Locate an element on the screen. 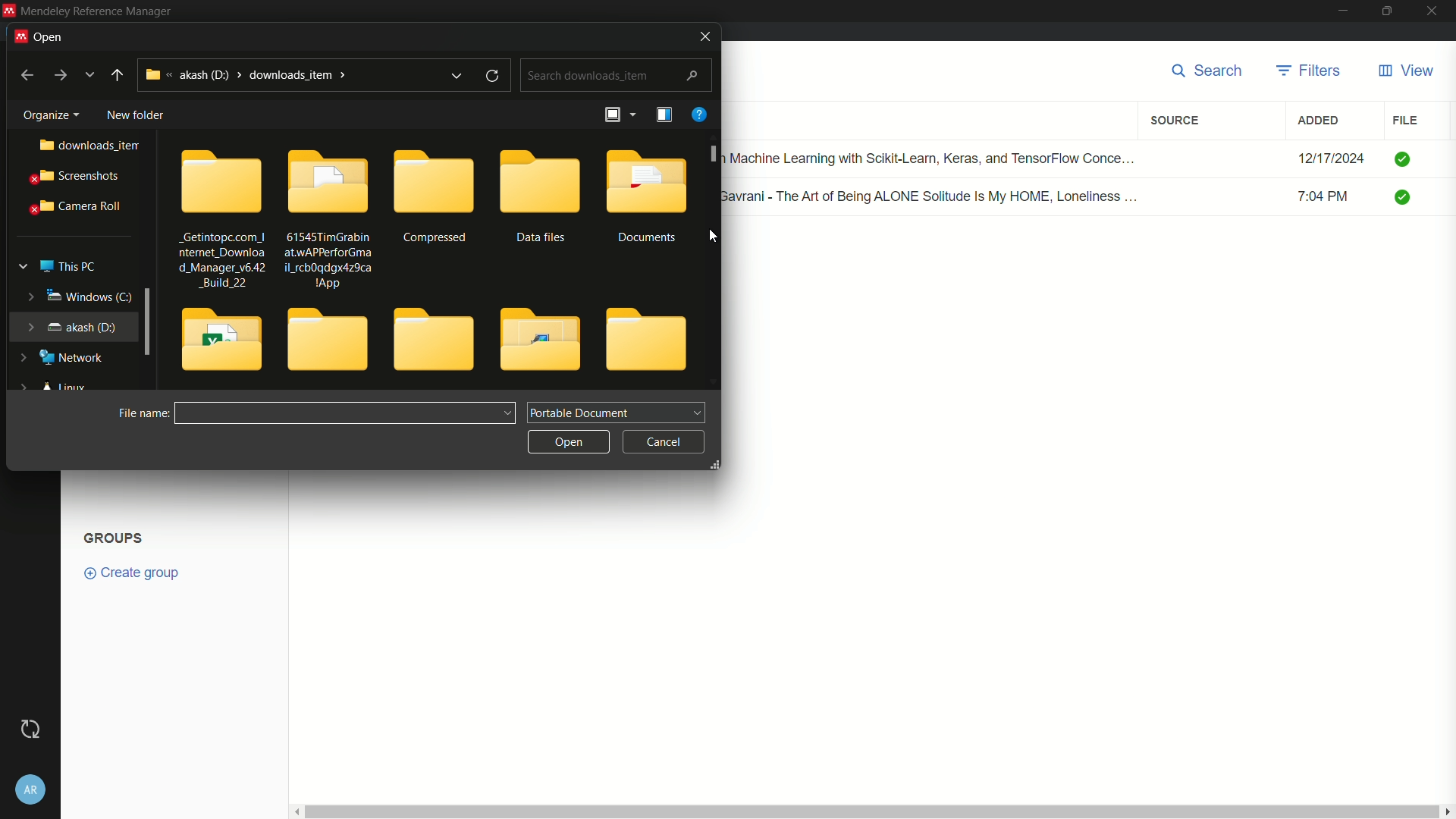  search downloads_item is located at coordinates (614, 76).